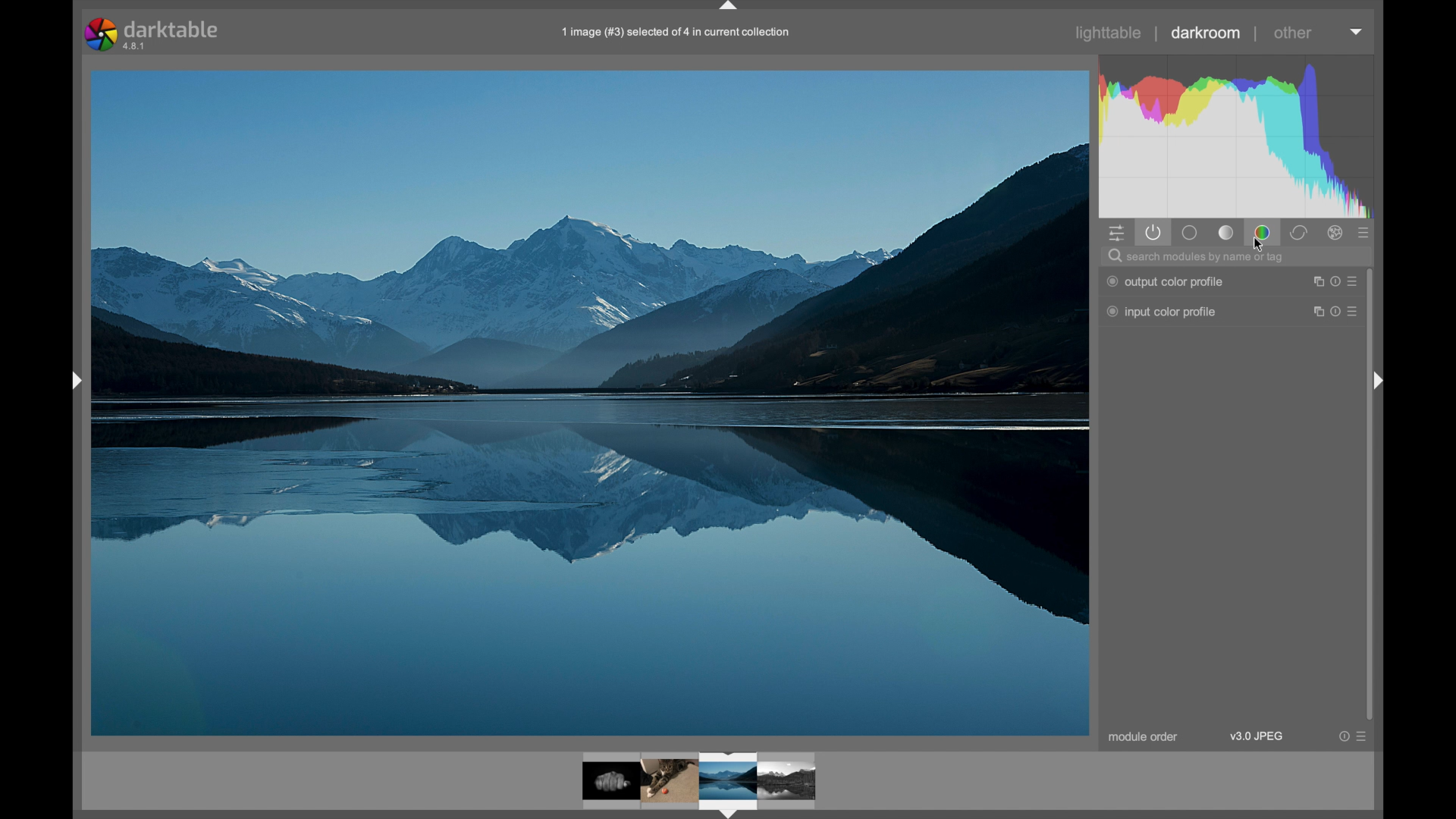 The width and height of the screenshot is (1456, 819). I want to click on quick access panel, so click(1119, 234).